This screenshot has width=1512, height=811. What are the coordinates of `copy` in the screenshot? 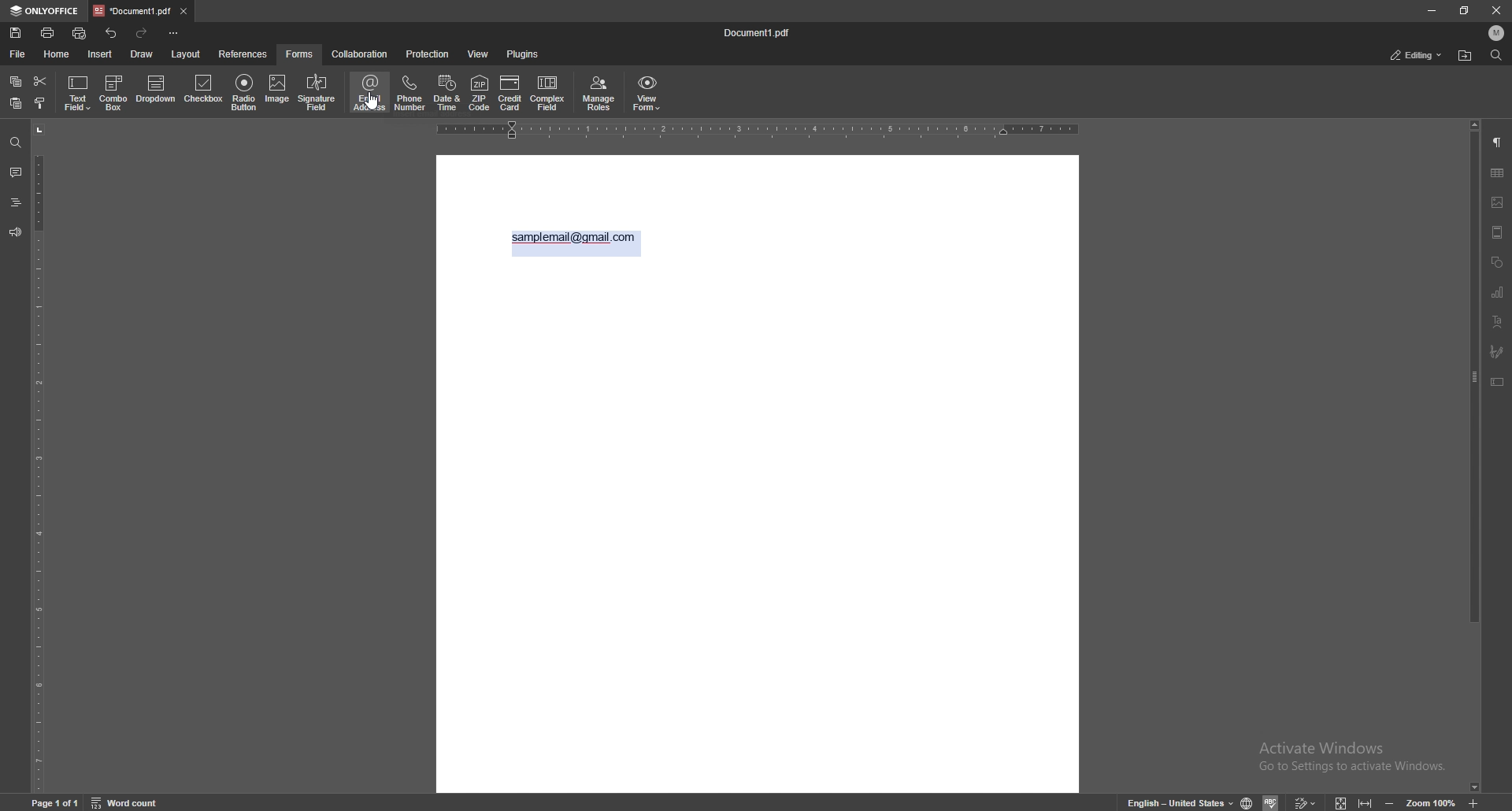 It's located at (15, 80).